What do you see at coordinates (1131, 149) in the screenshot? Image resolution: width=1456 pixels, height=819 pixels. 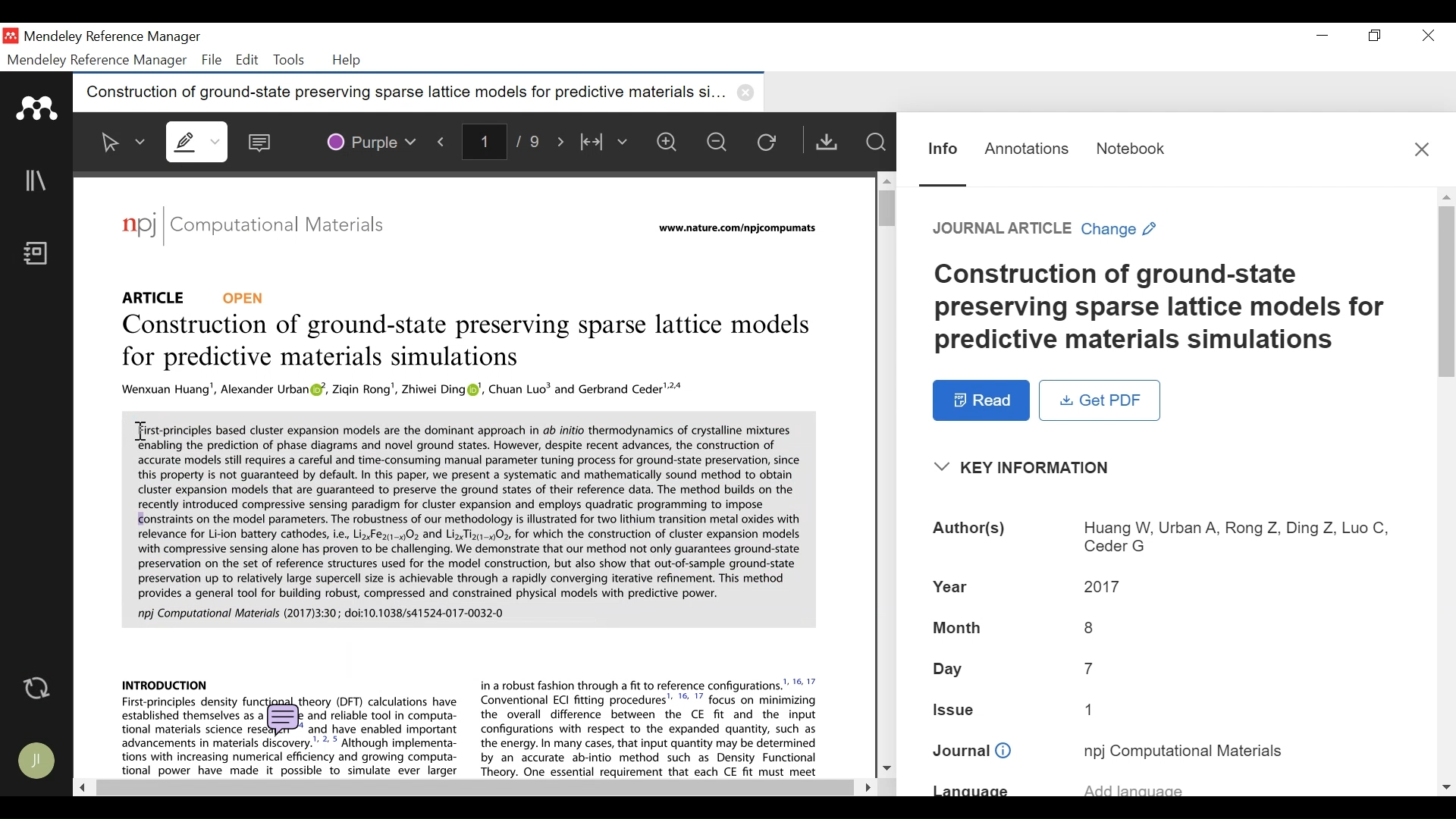 I see `Notebook` at bounding box center [1131, 149].